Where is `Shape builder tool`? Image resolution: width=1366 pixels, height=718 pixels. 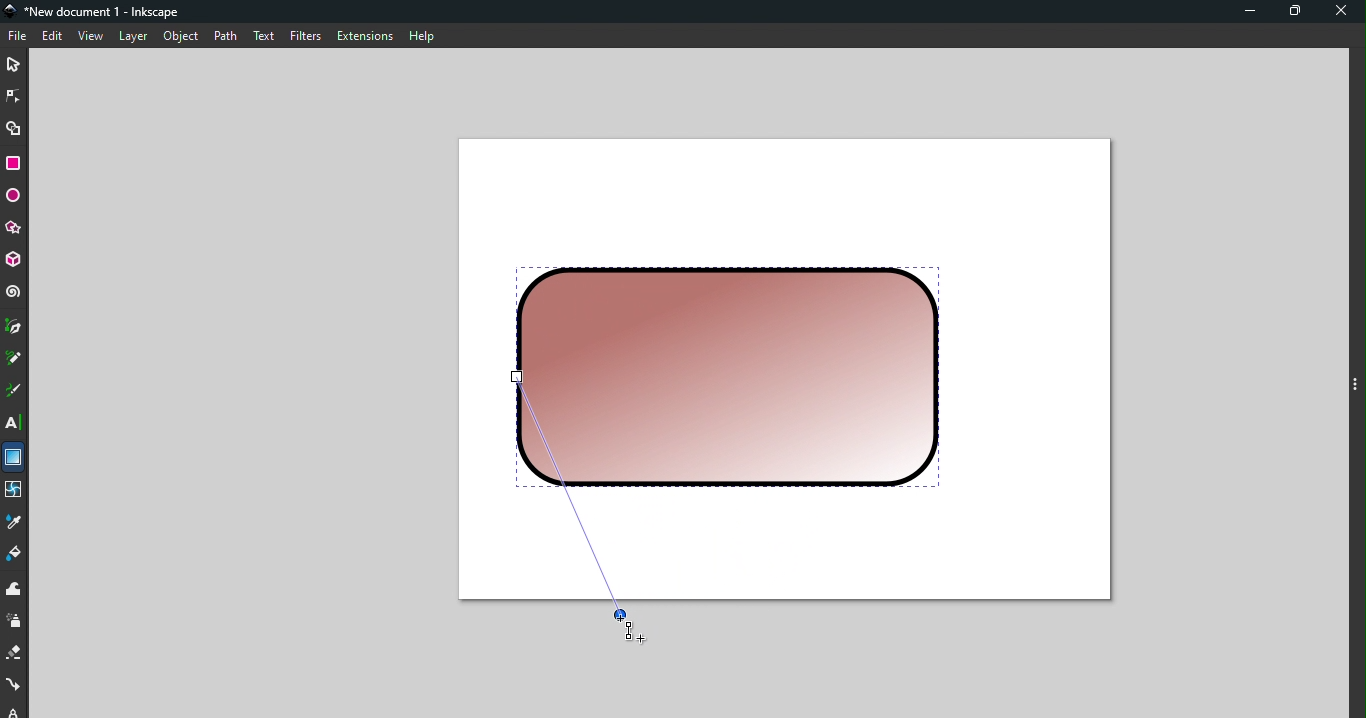
Shape builder tool is located at coordinates (14, 127).